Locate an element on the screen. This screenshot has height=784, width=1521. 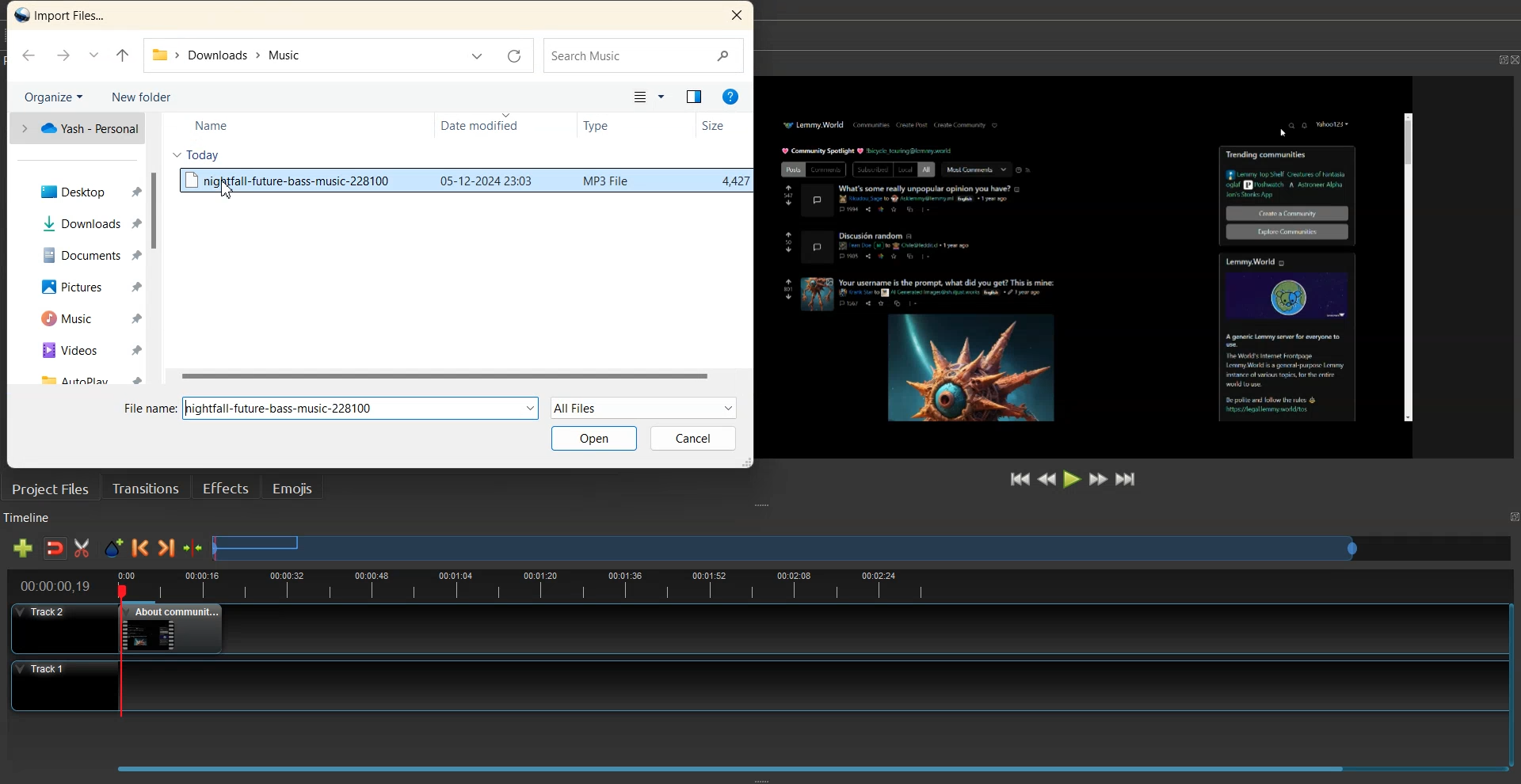
Size is located at coordinates (725, 124).